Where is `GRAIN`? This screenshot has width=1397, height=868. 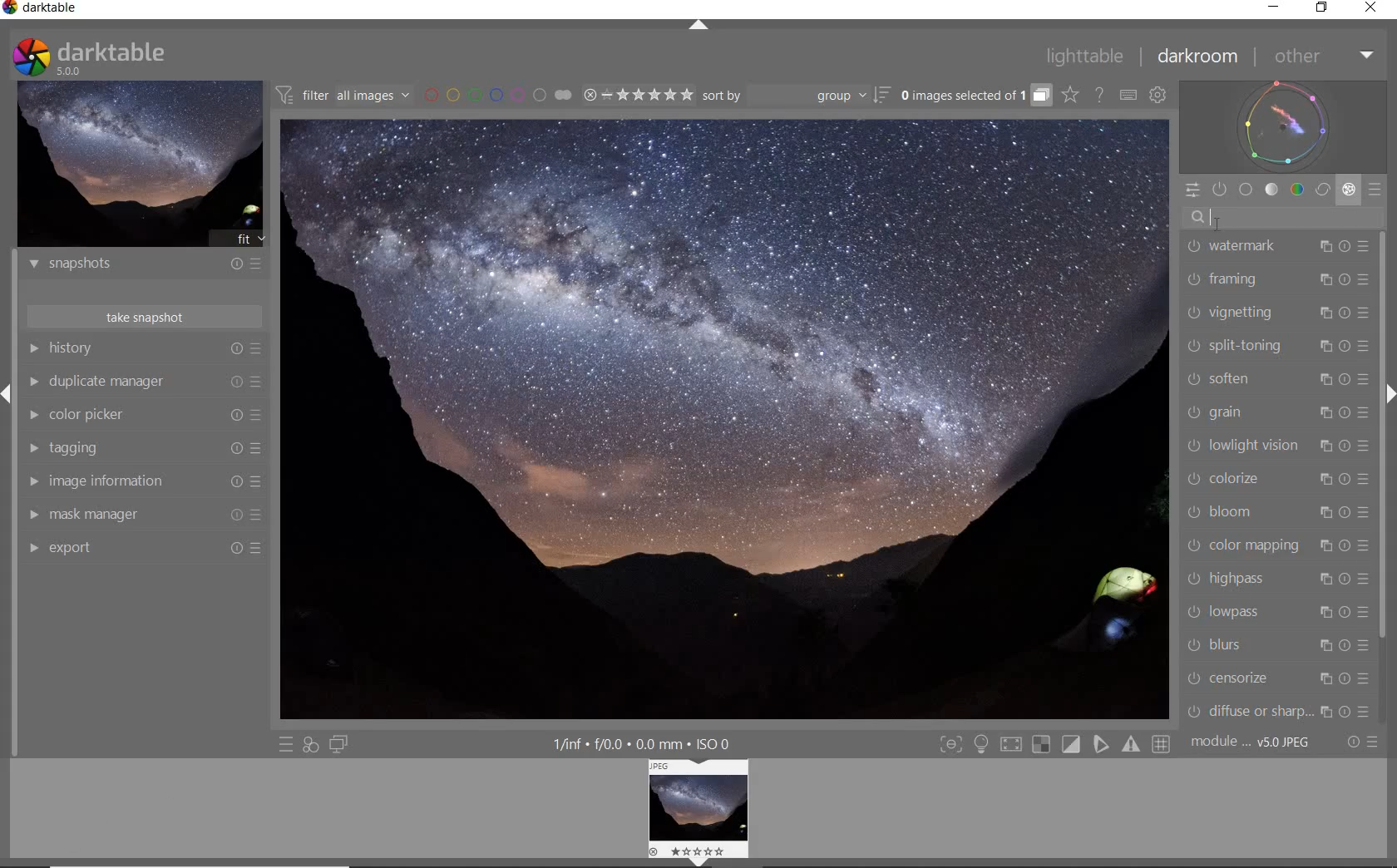 GRAIN is located at coordinates (1220, 413).